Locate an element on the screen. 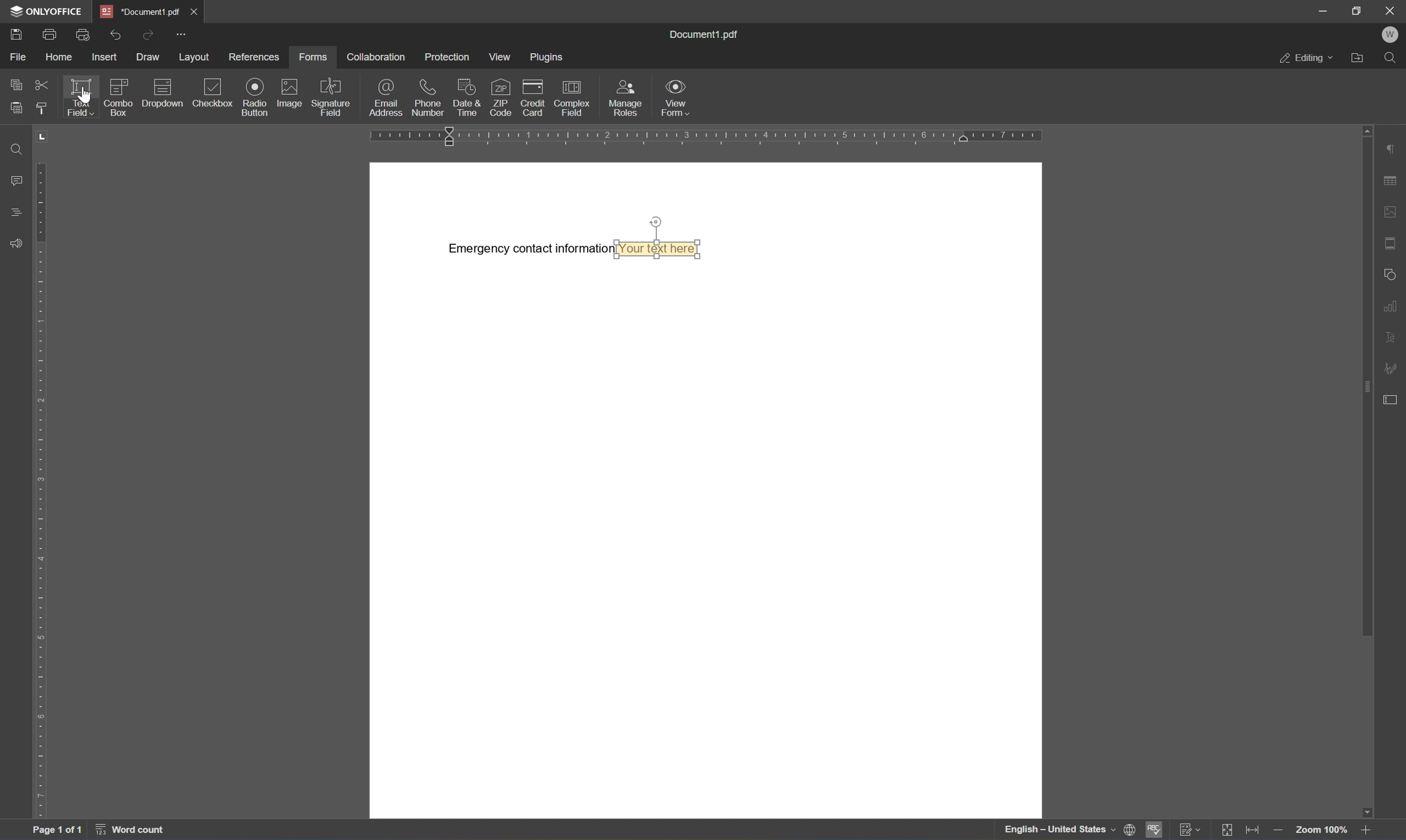 The height and width of the screenshot is (840, 1406). cut is located at coordinates (41, 84).